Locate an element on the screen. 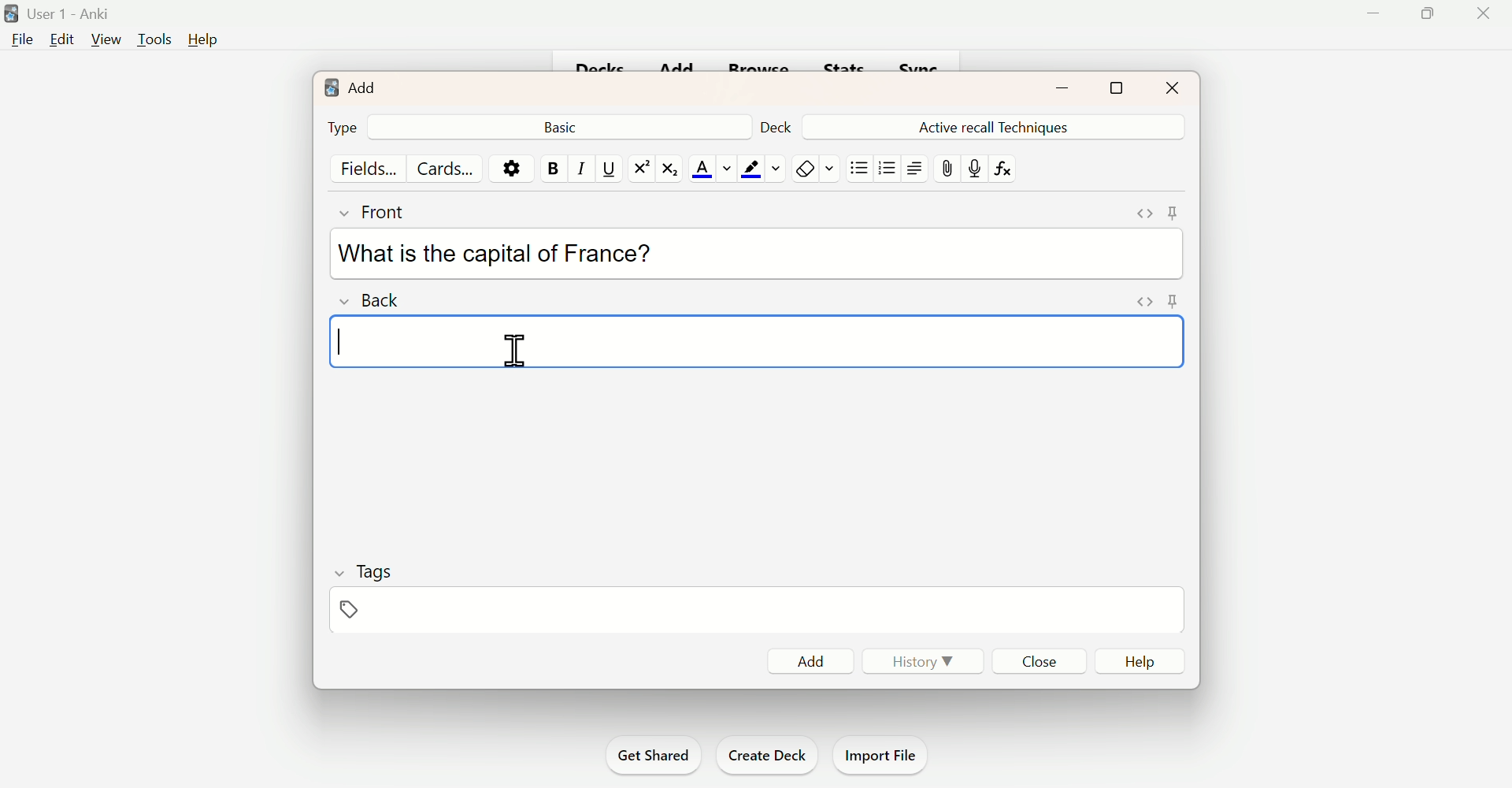 Image resolution: width=1512 pixels, height=788 pixels. What is the capital of France? is located at coordinates (490, 251).